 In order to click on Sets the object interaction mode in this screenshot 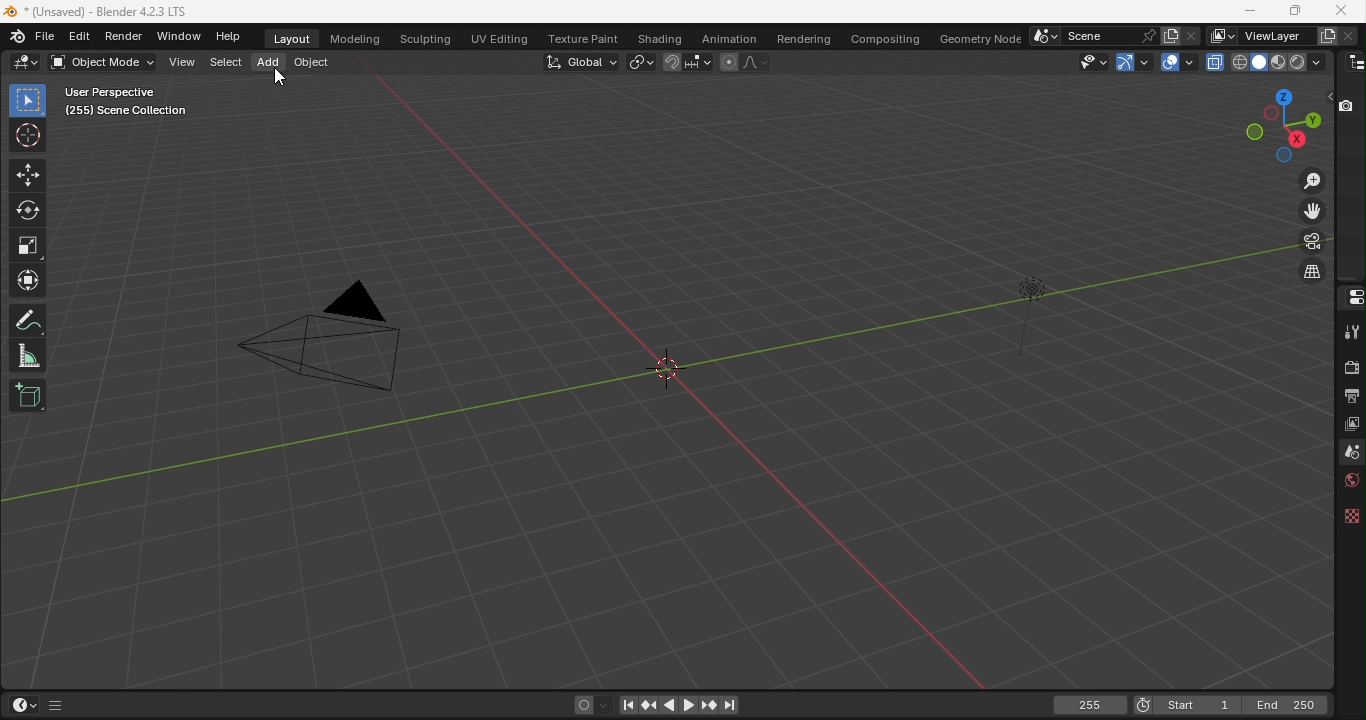, I will do `click(100, 62)`.